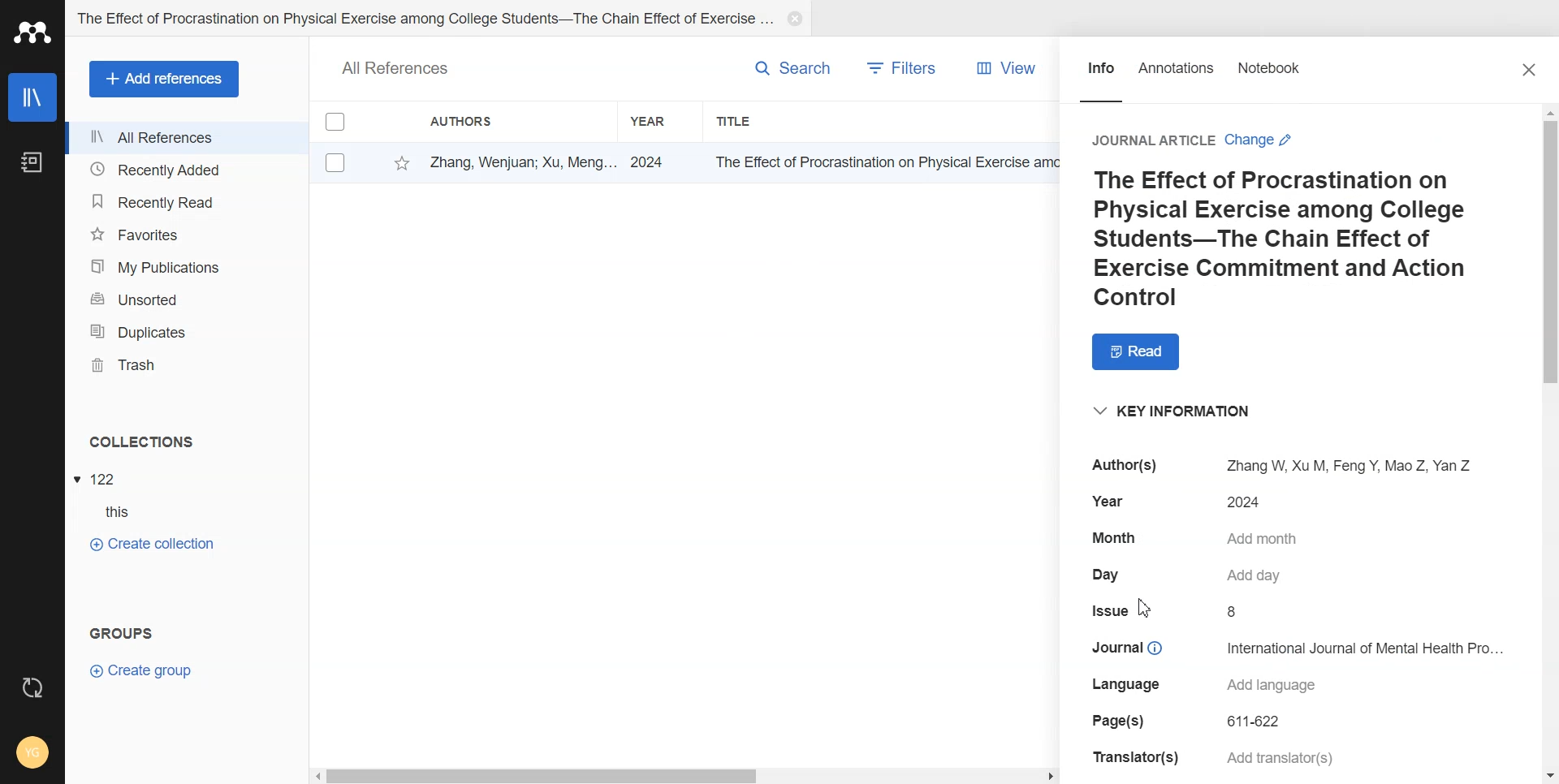 This screenshot has width=1559, height=784. Describe the element at coordinates (1185, 499) in the screenshot. I see `Year 2024` at that location.